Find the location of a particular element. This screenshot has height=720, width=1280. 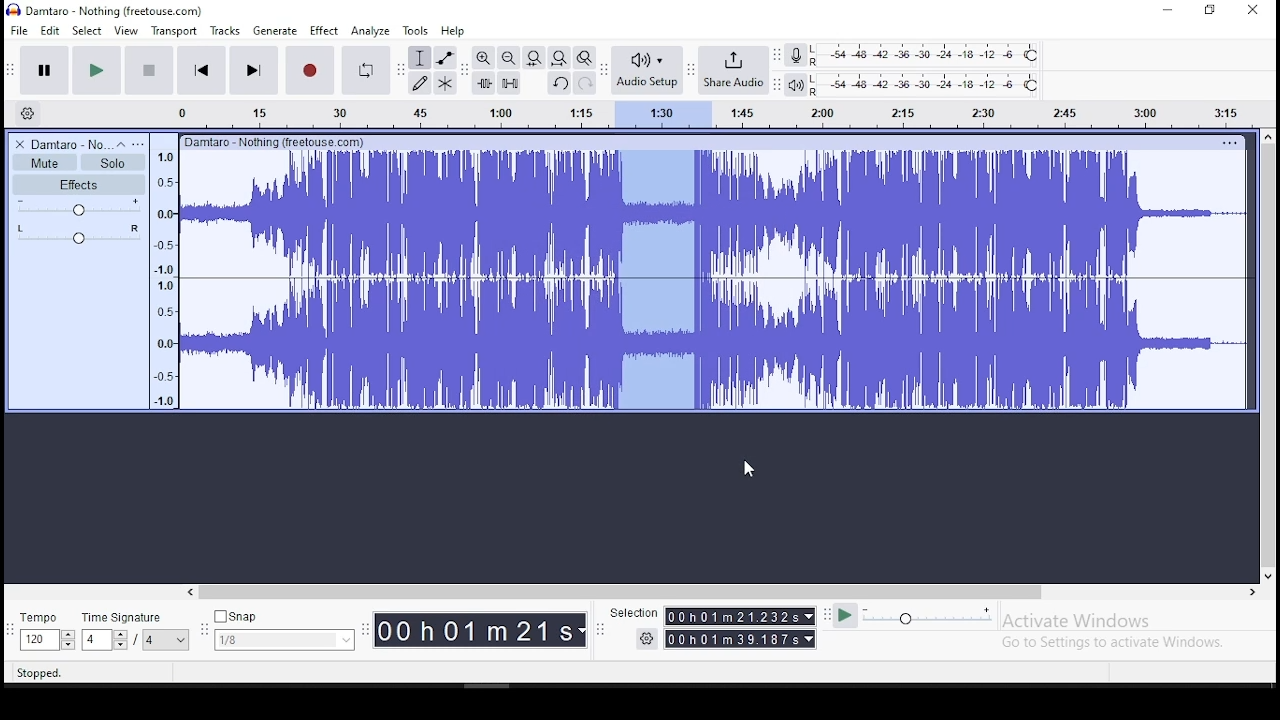

 is located at coordinates (776, 83).